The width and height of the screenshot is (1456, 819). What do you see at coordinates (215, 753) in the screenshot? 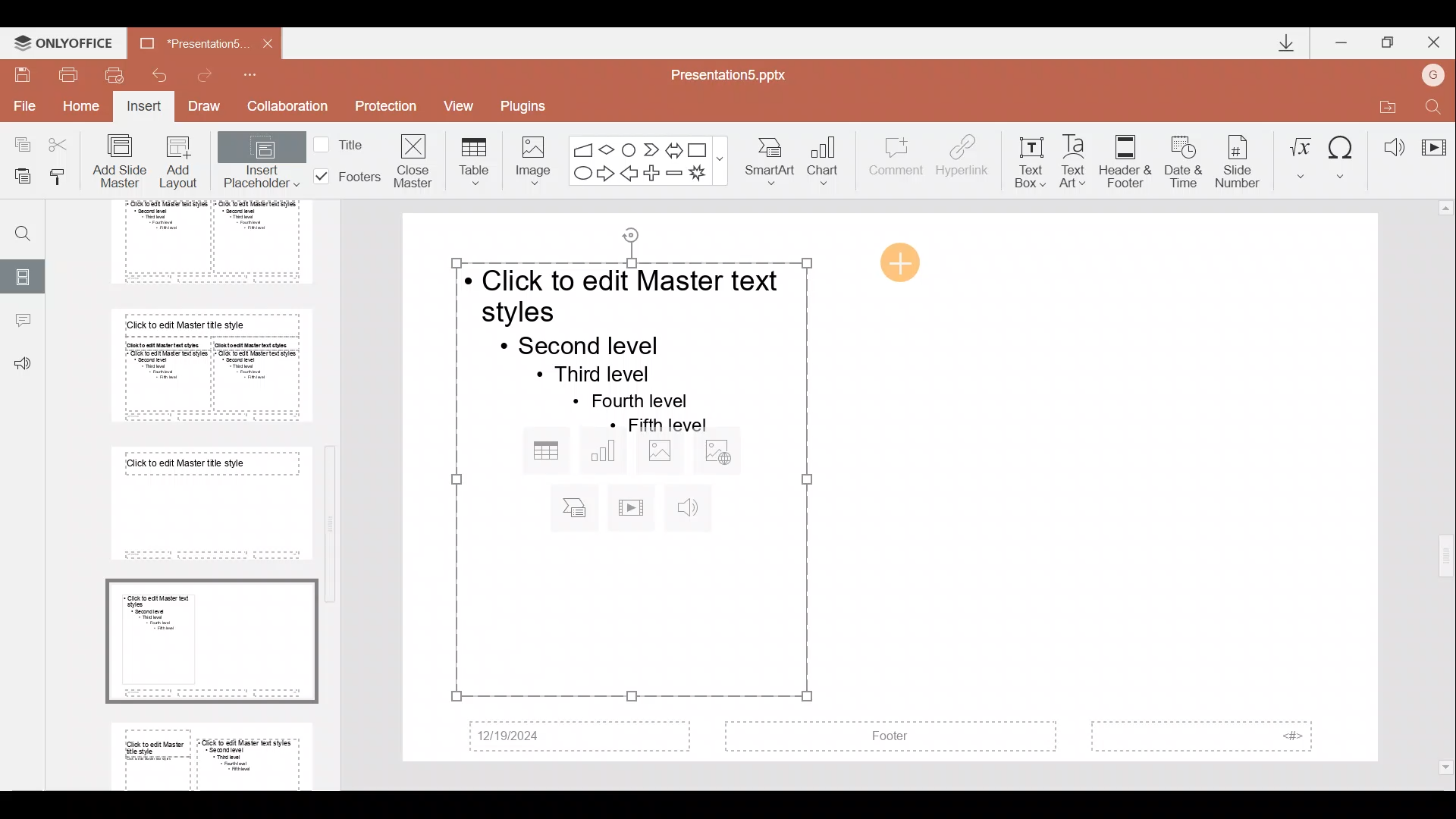
I see `Slide 9` at bounding box center [215, 753].